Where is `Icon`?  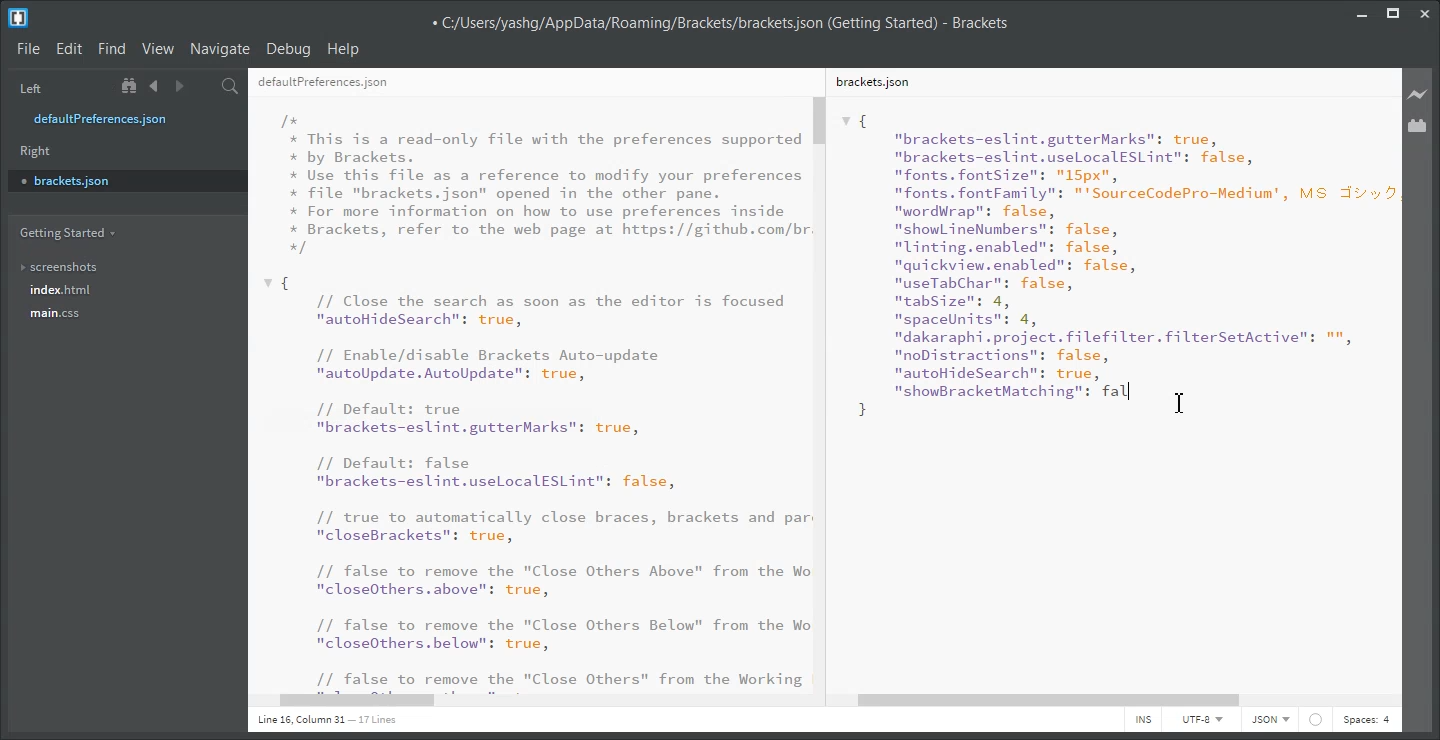 Icon is located at coordinates (1316, 720).